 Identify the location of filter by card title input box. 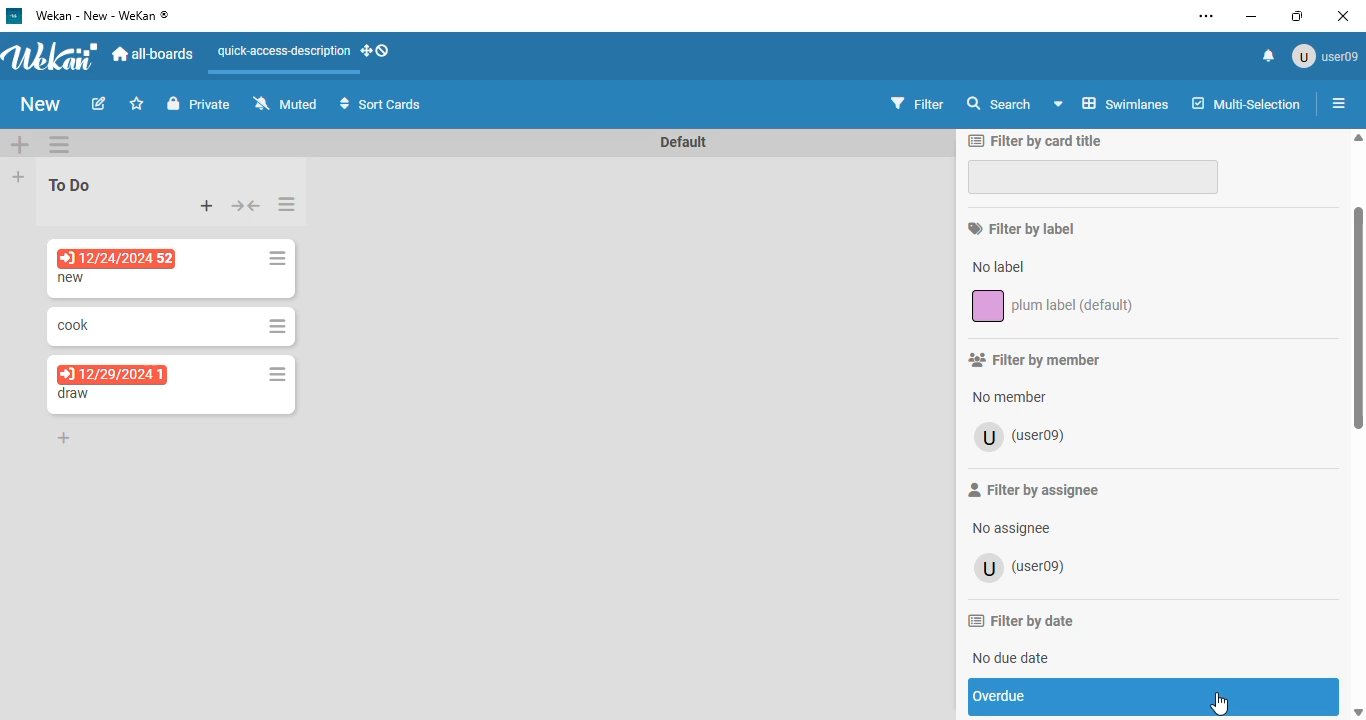
(1092, 177).